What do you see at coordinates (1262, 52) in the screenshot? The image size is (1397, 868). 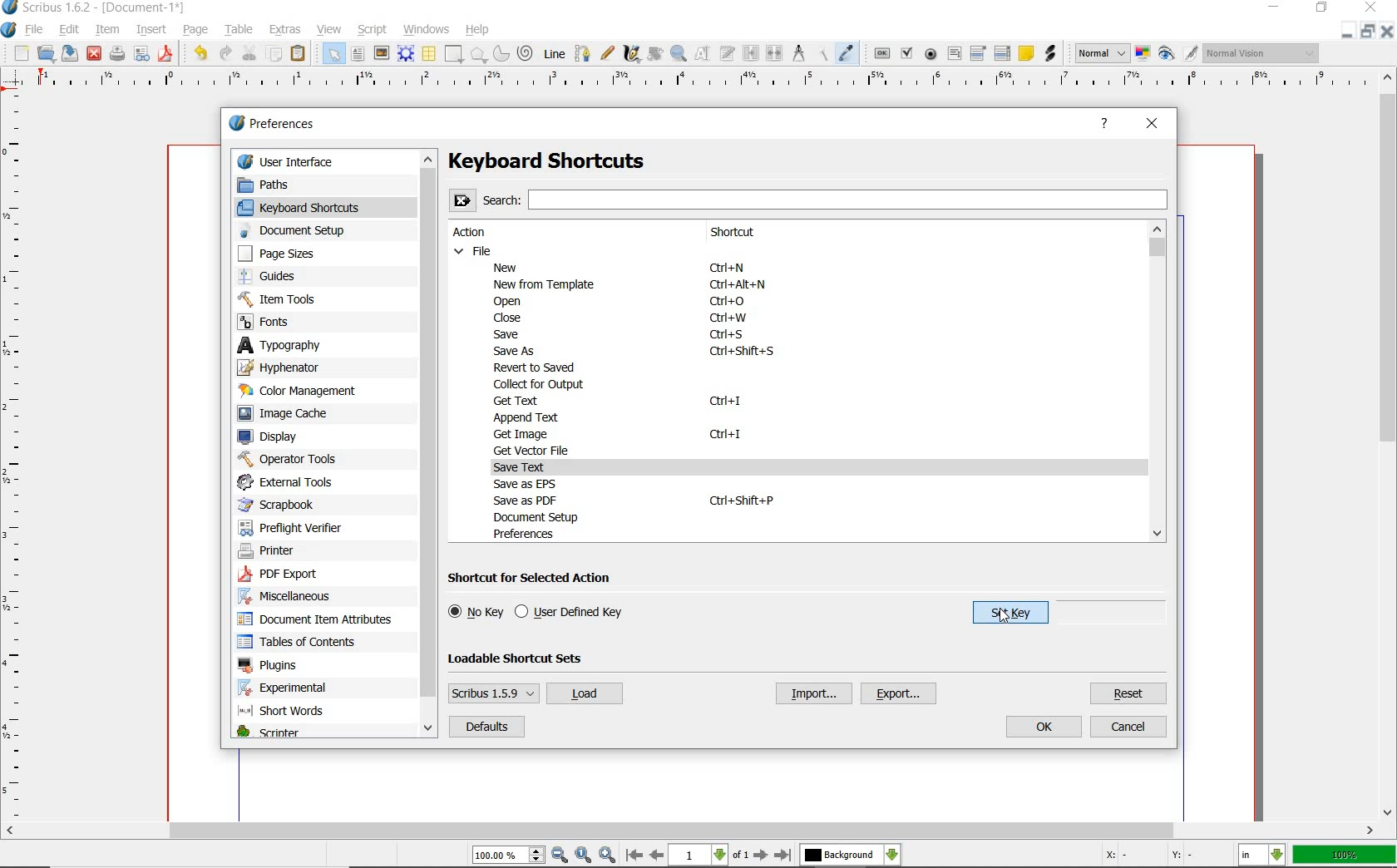 I see `visual appearance of the display` at bounding box center [1262, 52].